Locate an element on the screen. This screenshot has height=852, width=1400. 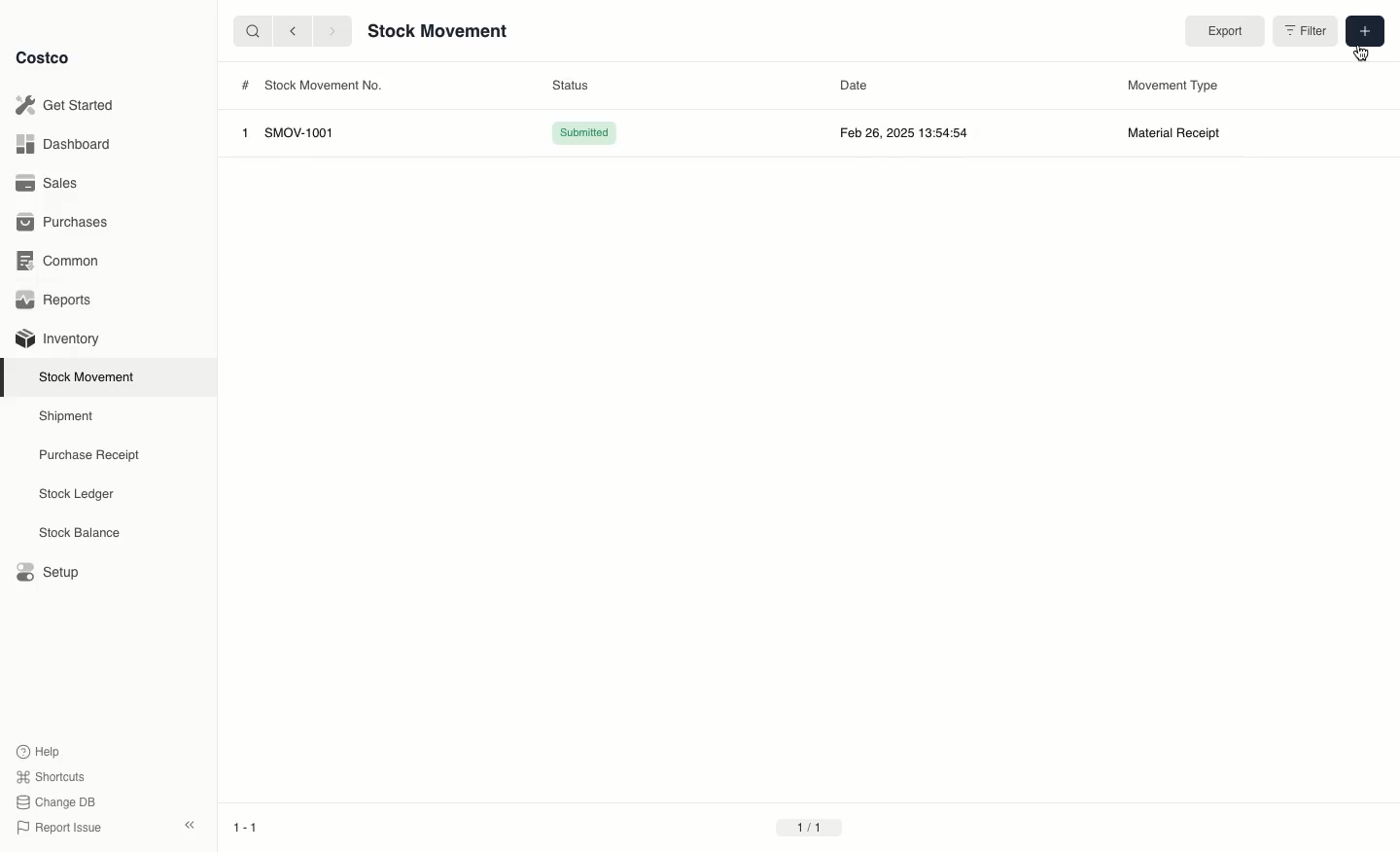
Change DB is located at coordinates (56, 802).